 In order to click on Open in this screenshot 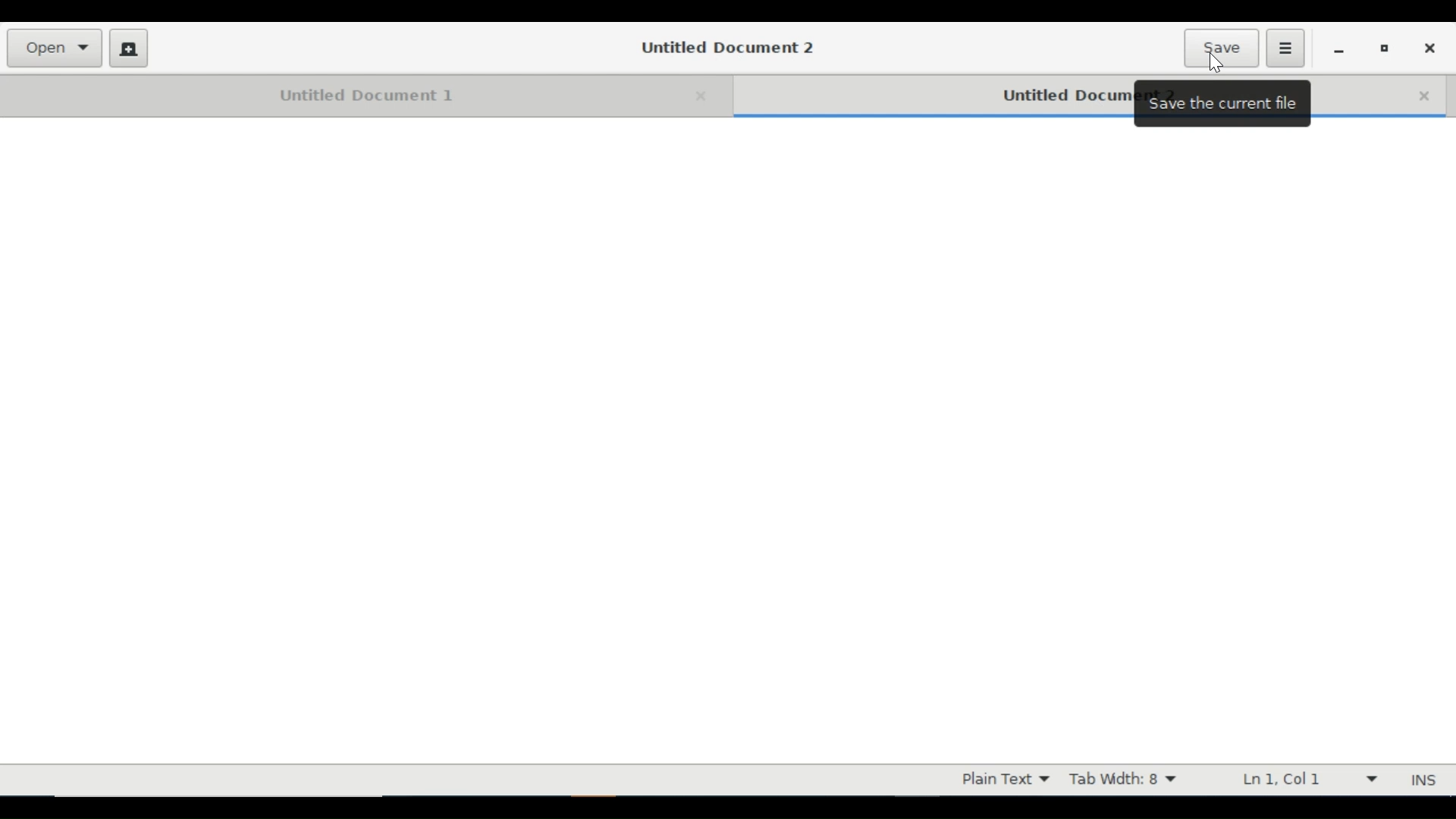, I will do `click(55, 49)`.